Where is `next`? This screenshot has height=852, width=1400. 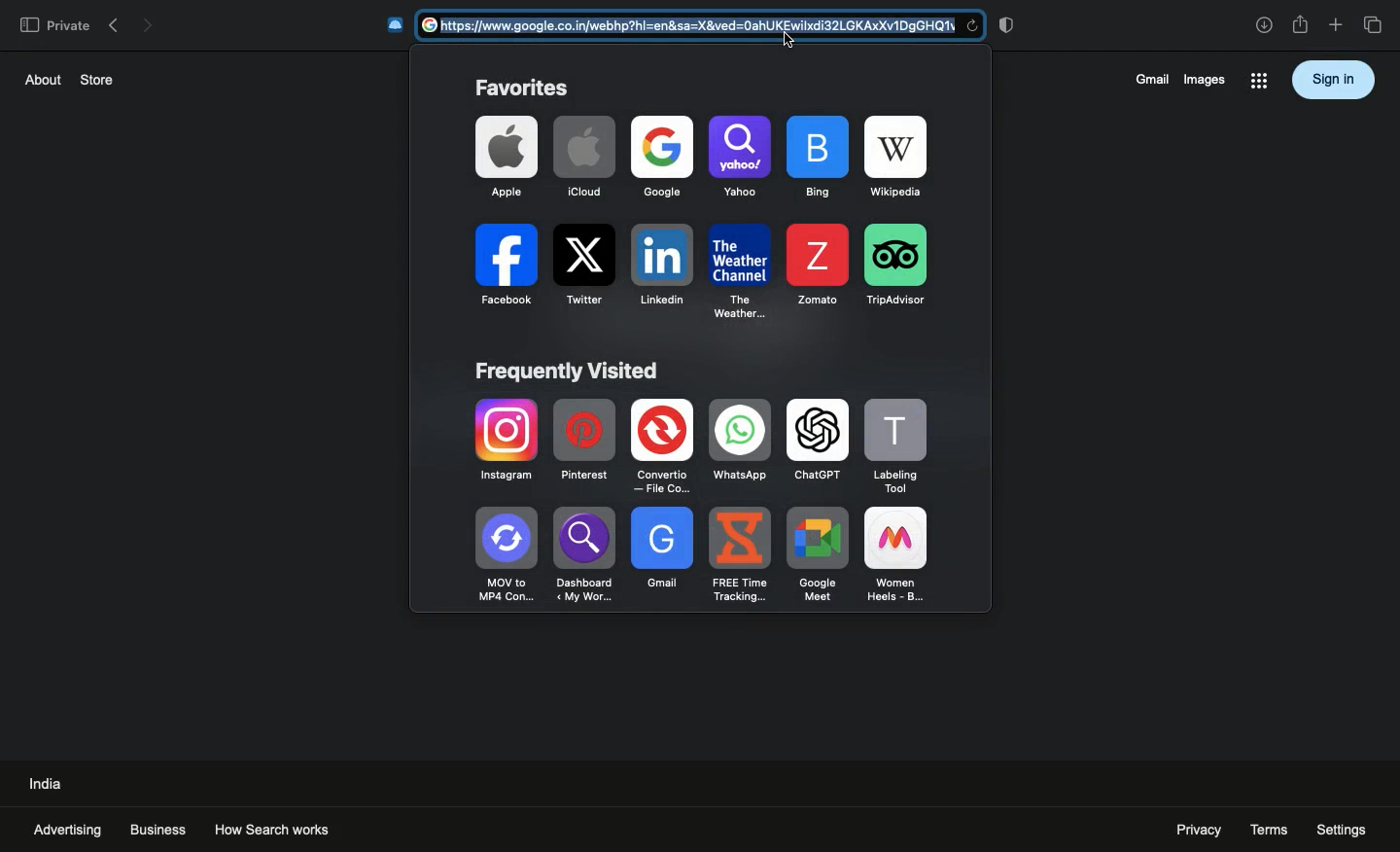
next is located at coordinates (148, 22).